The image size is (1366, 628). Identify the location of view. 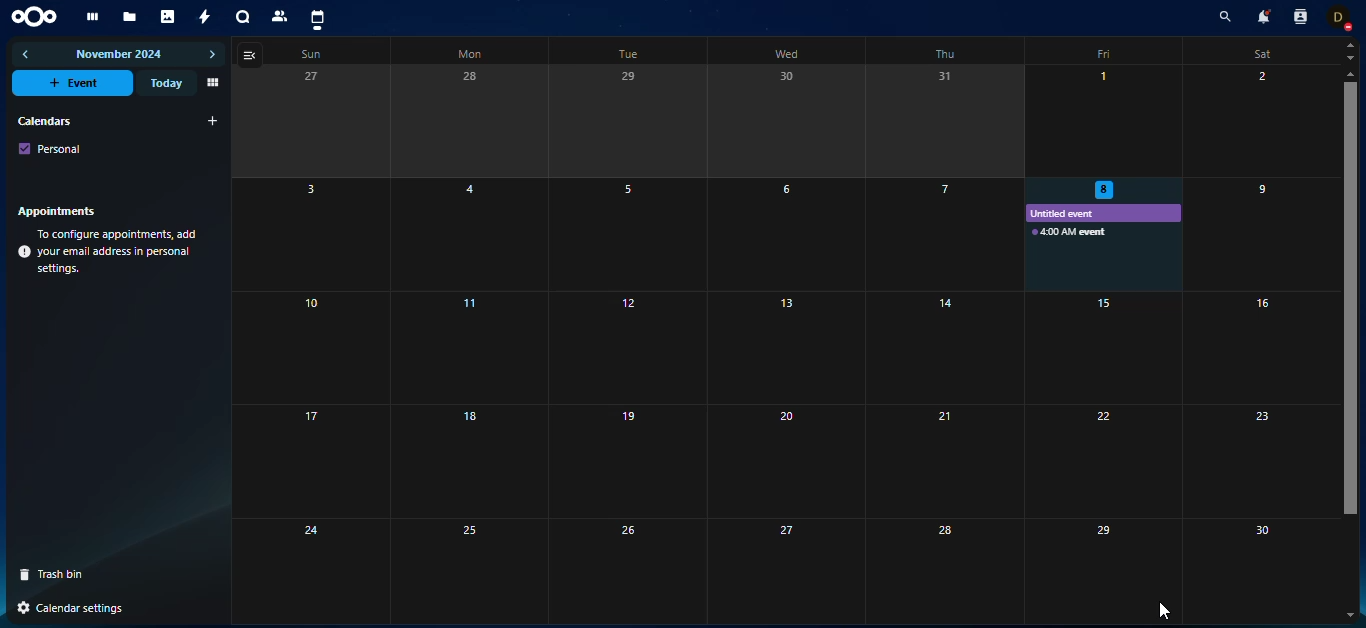
(211, 83).